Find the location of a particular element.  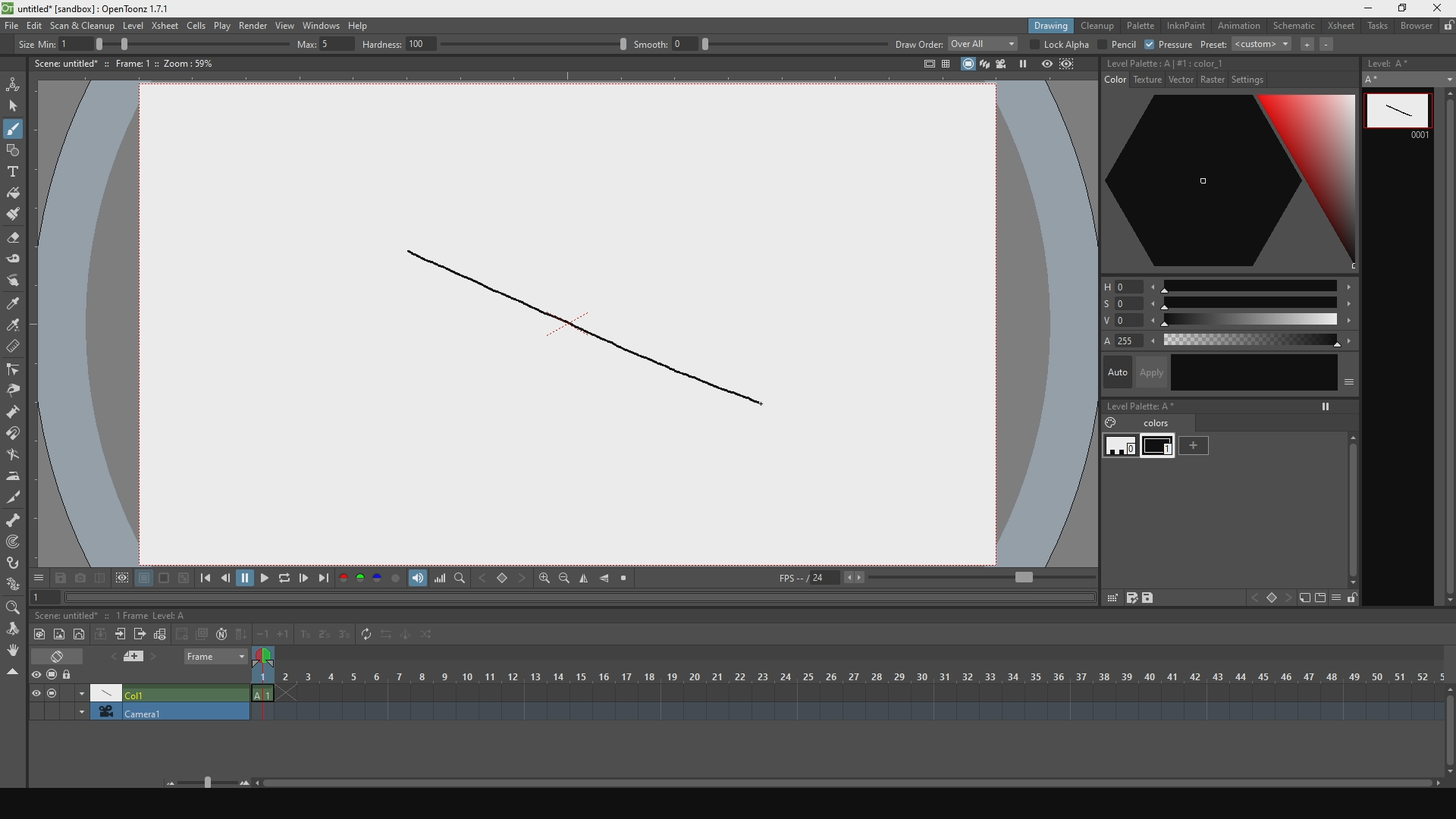

close is located at coordinates (14, 672).